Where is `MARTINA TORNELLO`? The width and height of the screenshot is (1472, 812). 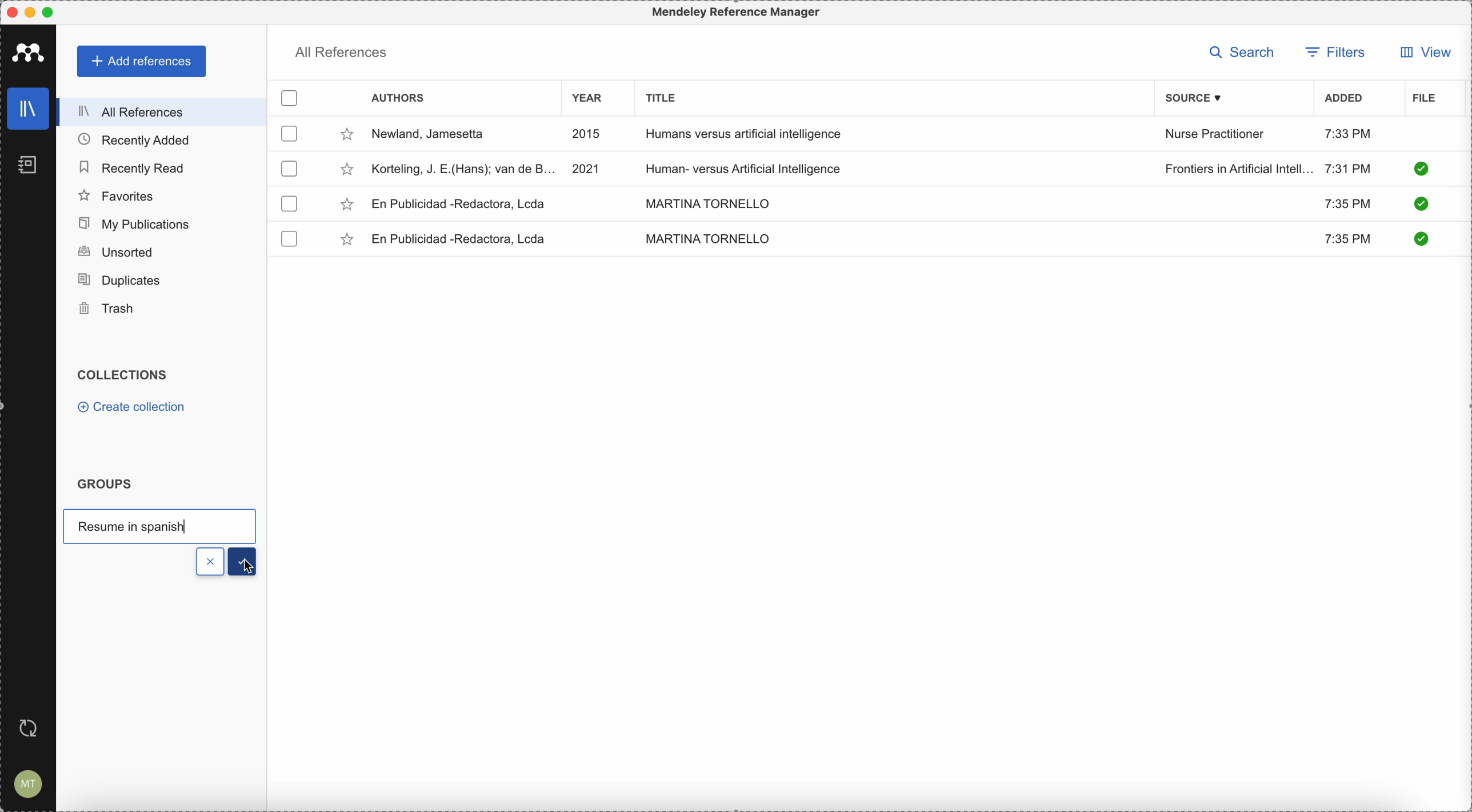
MARTINA TORNELLO is located at coordinates (707, 238).